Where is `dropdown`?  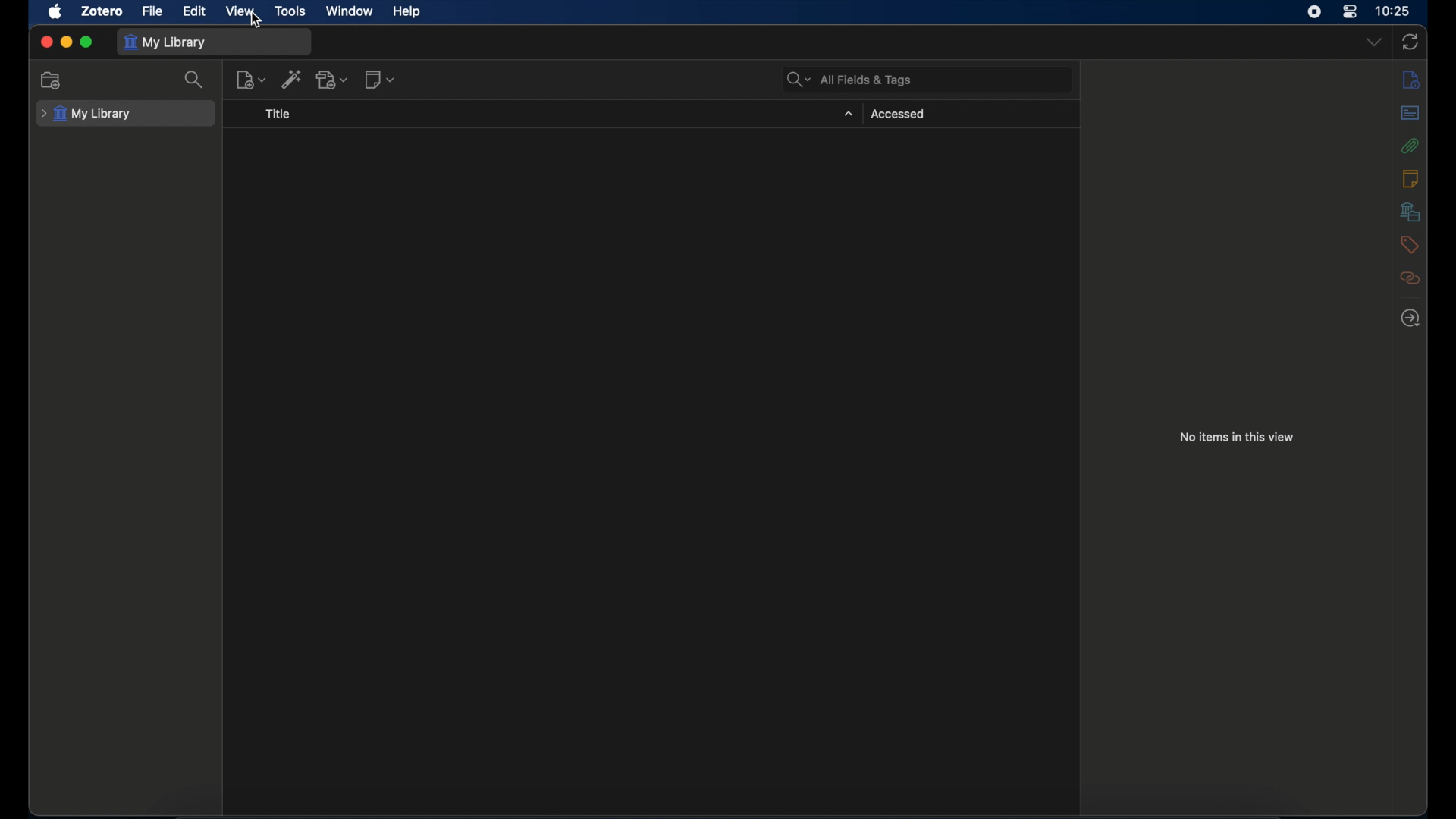
dropdown is located at coordinates (847, 114).